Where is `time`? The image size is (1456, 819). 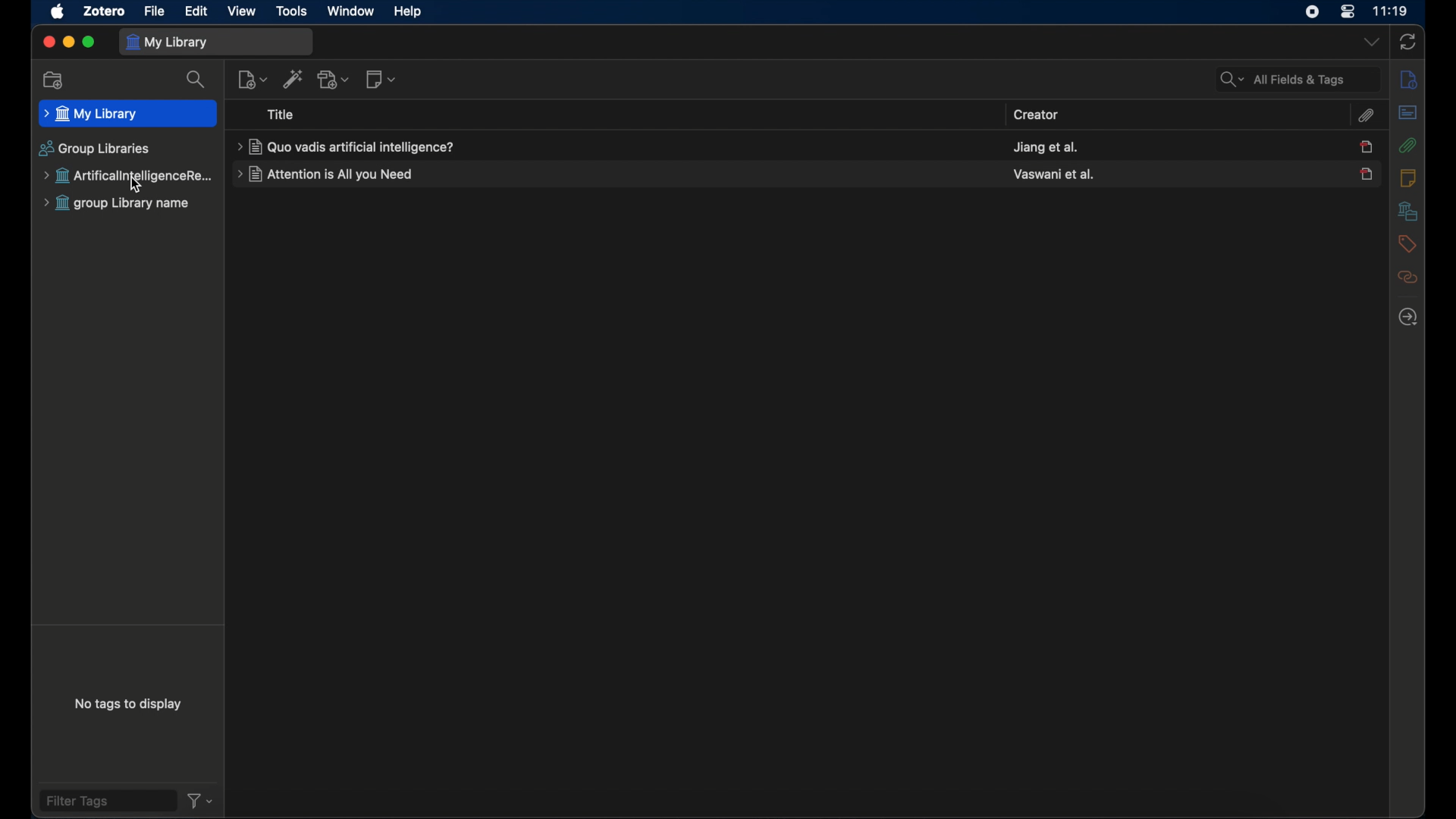
time is located at coordinates (1392, 12).